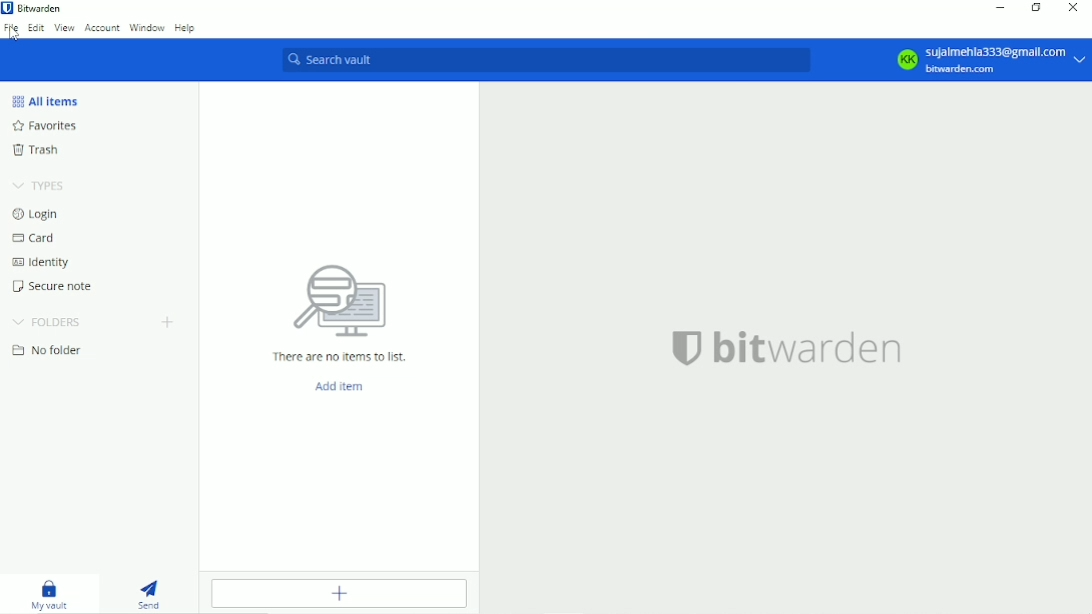  Describe the element at coordinates (49, 350) in the screenshot. I see `No folder` at that location.